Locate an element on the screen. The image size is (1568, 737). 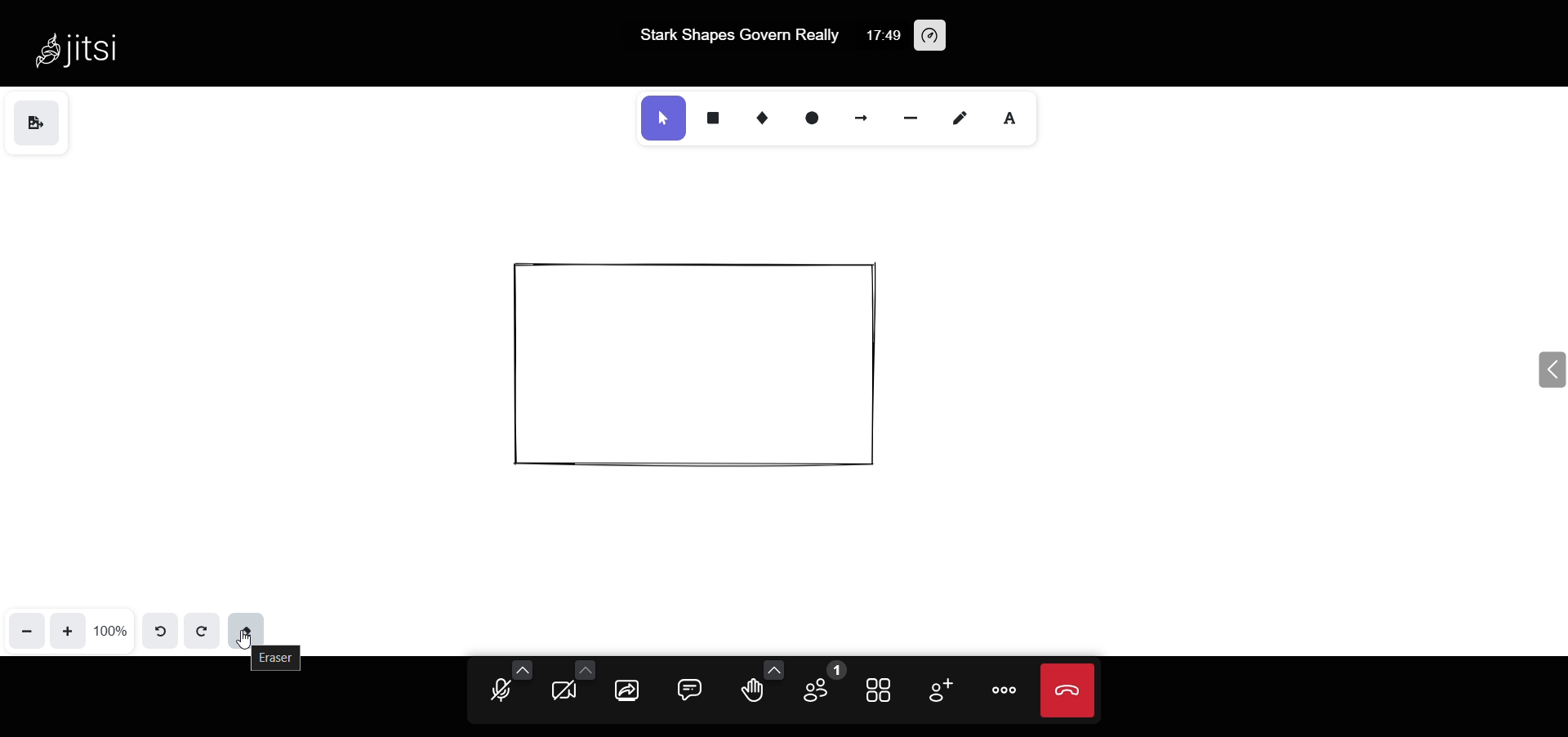
select is located at coordinates (661, 119).